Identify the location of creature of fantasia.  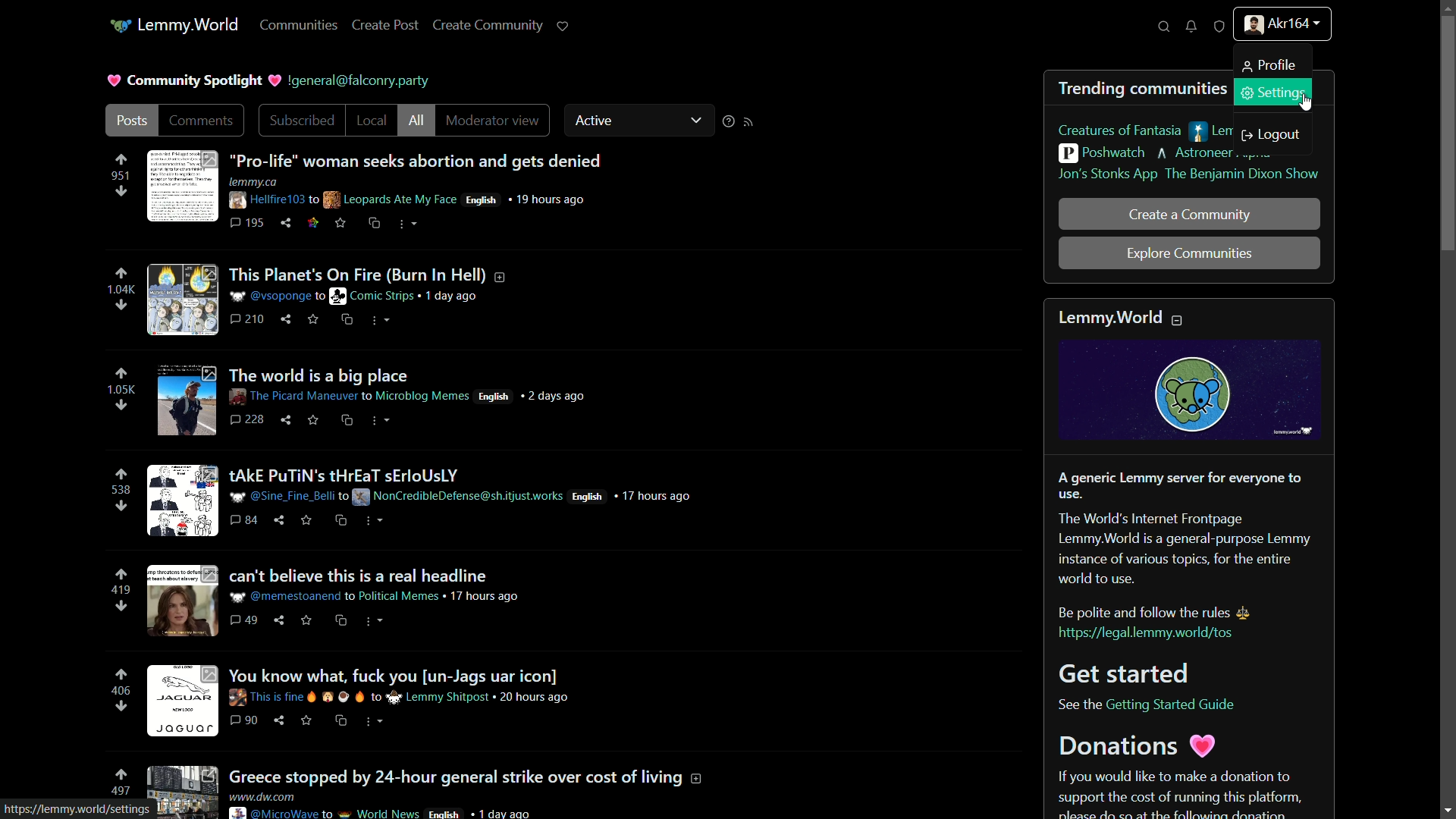
(1120, 131).